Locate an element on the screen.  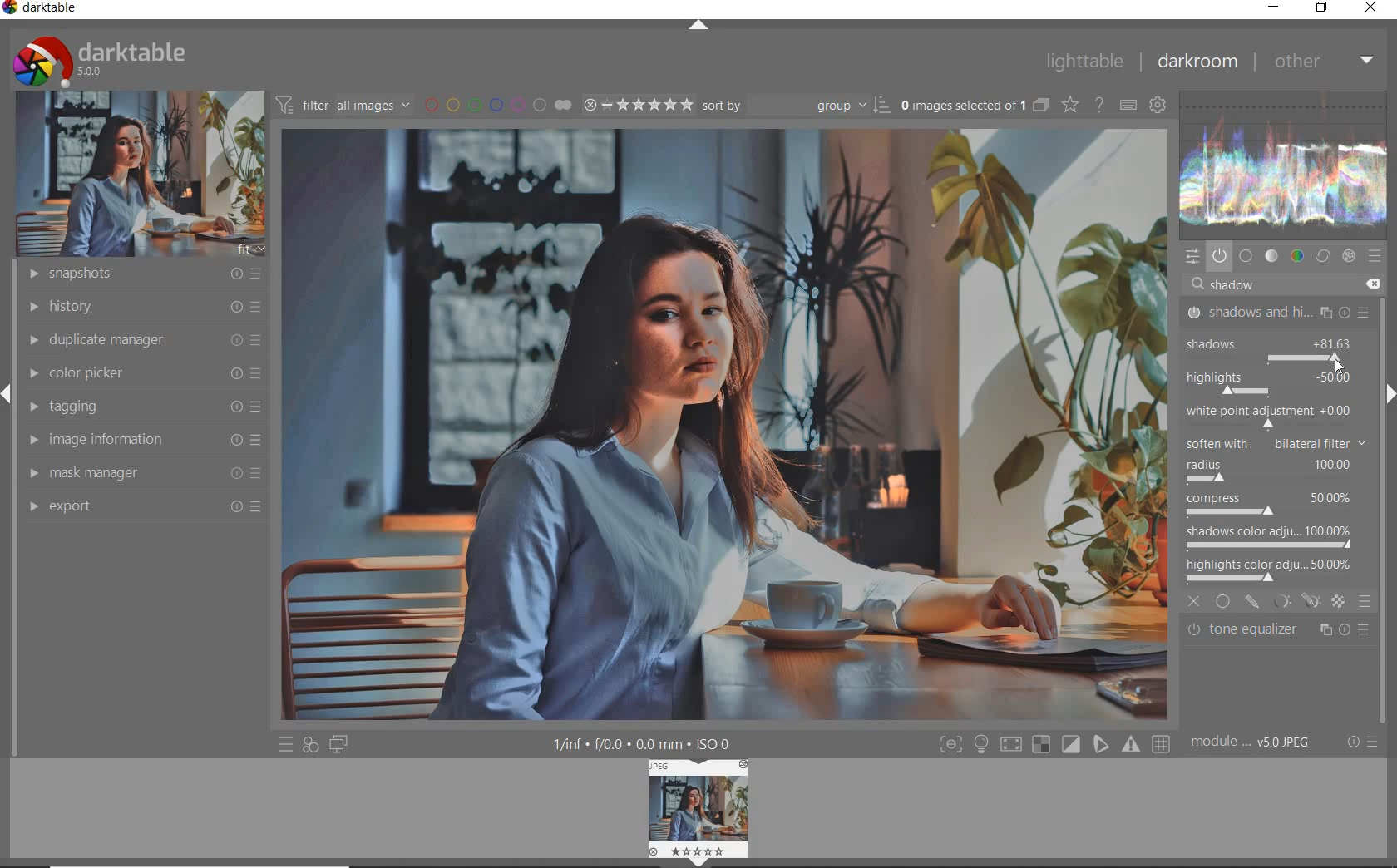
tagging is located at coordinates (142, 407).